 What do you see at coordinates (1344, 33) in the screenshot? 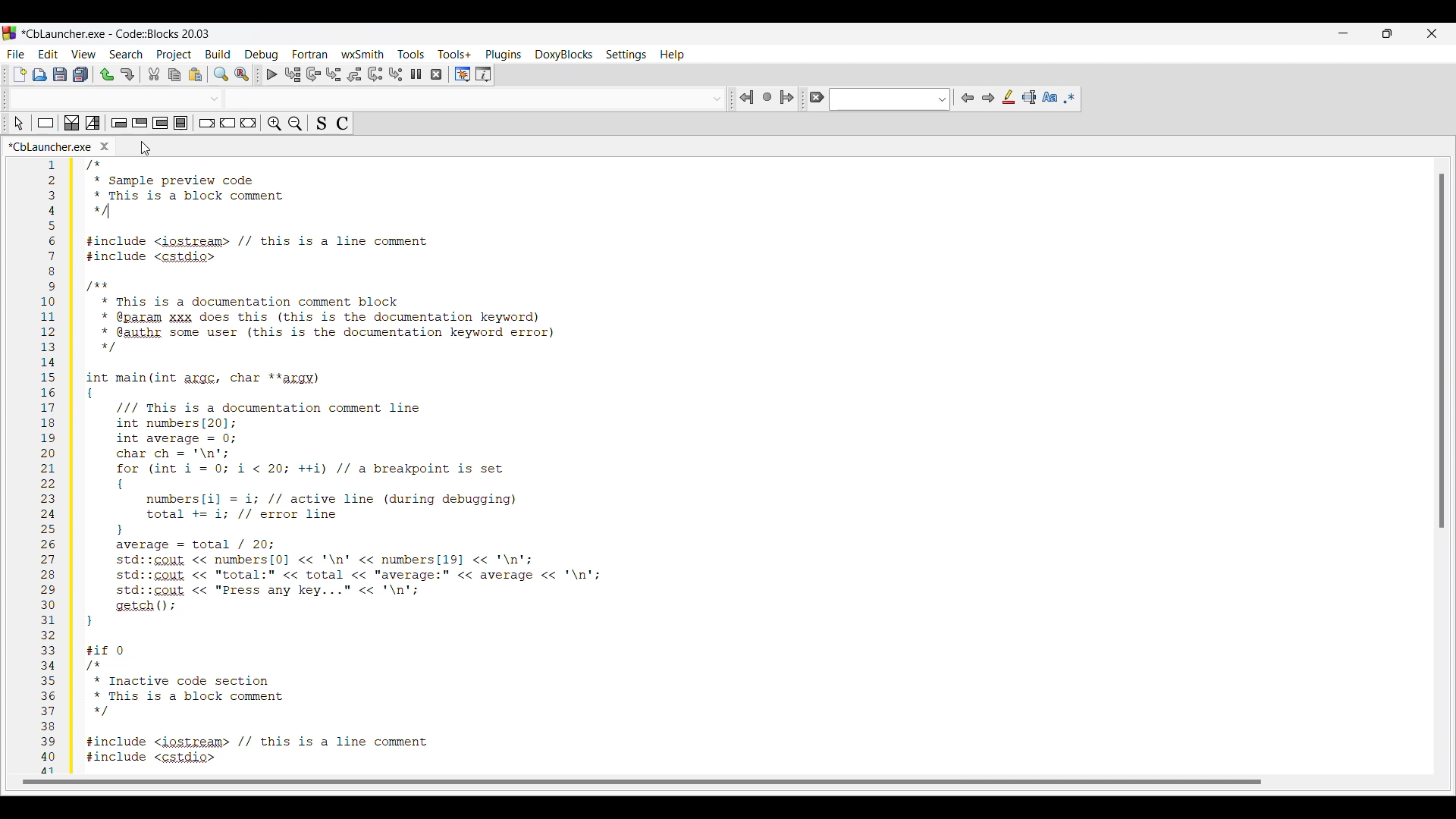
I see `Minimize` at bounding box center [1344, 33].